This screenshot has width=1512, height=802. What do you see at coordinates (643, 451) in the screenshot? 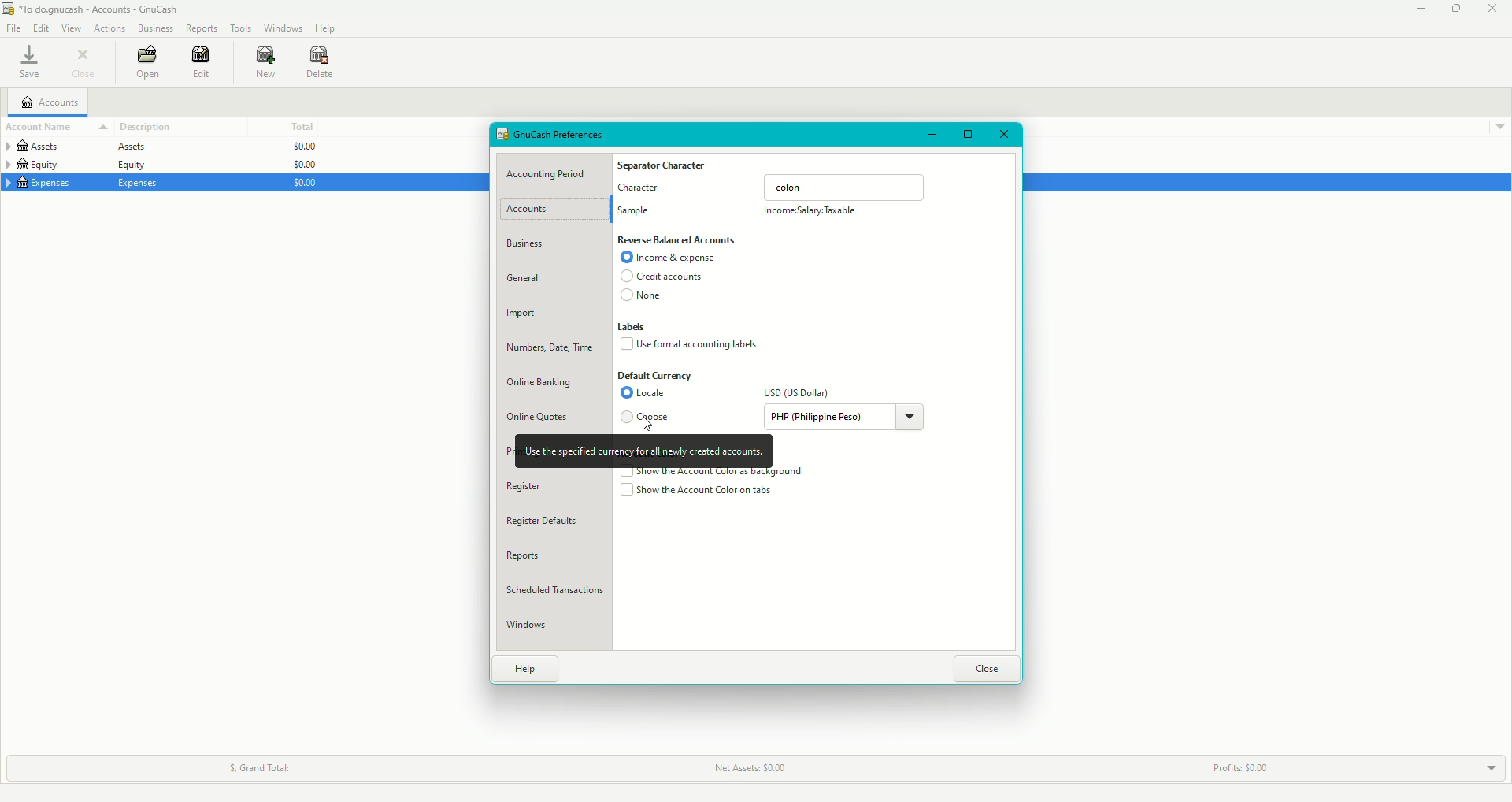
I see `Prompt bar` at bounding box center [643, 451].